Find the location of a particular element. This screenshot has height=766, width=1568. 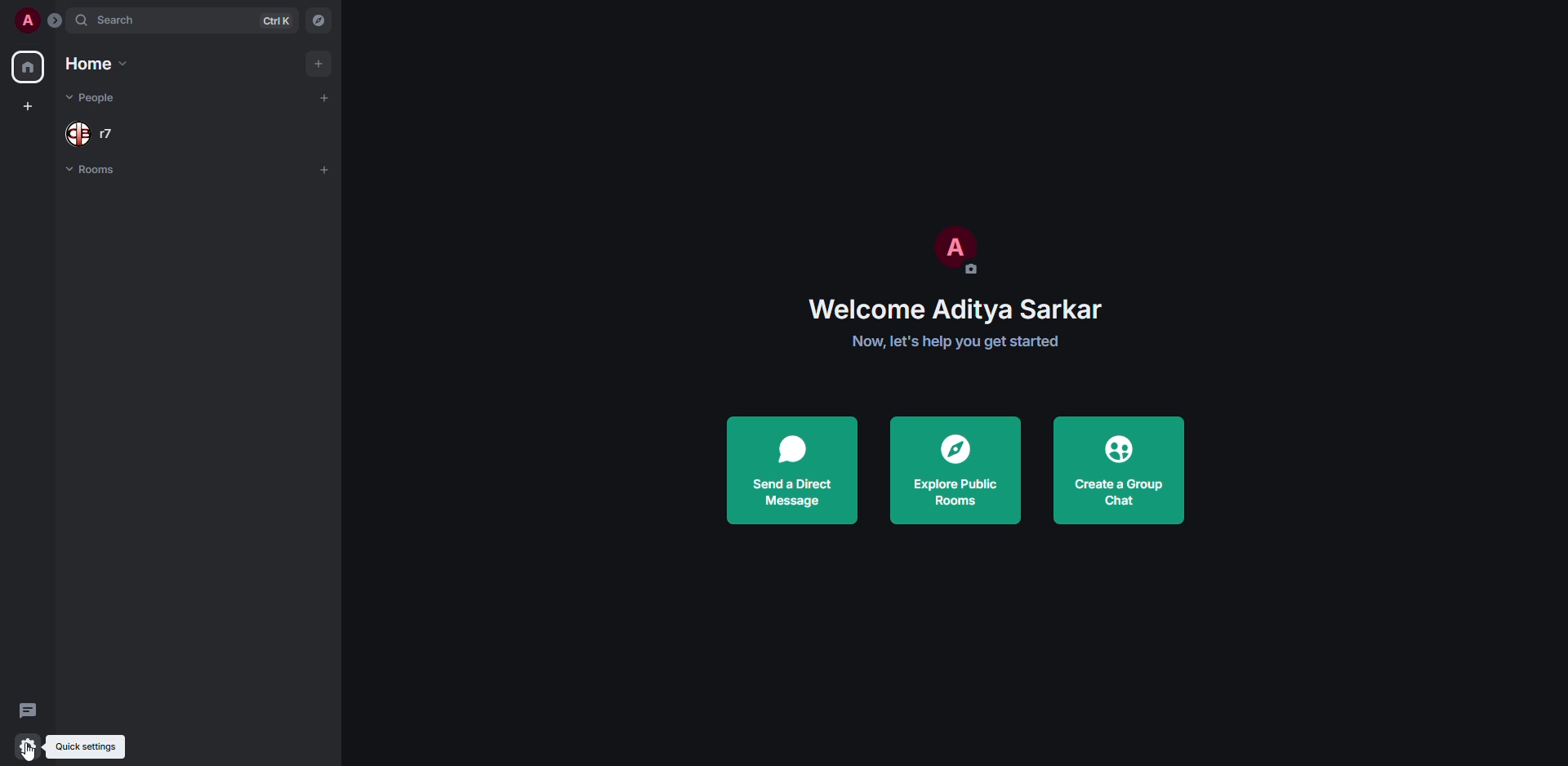

rooms is located at coordinates (96, 171).